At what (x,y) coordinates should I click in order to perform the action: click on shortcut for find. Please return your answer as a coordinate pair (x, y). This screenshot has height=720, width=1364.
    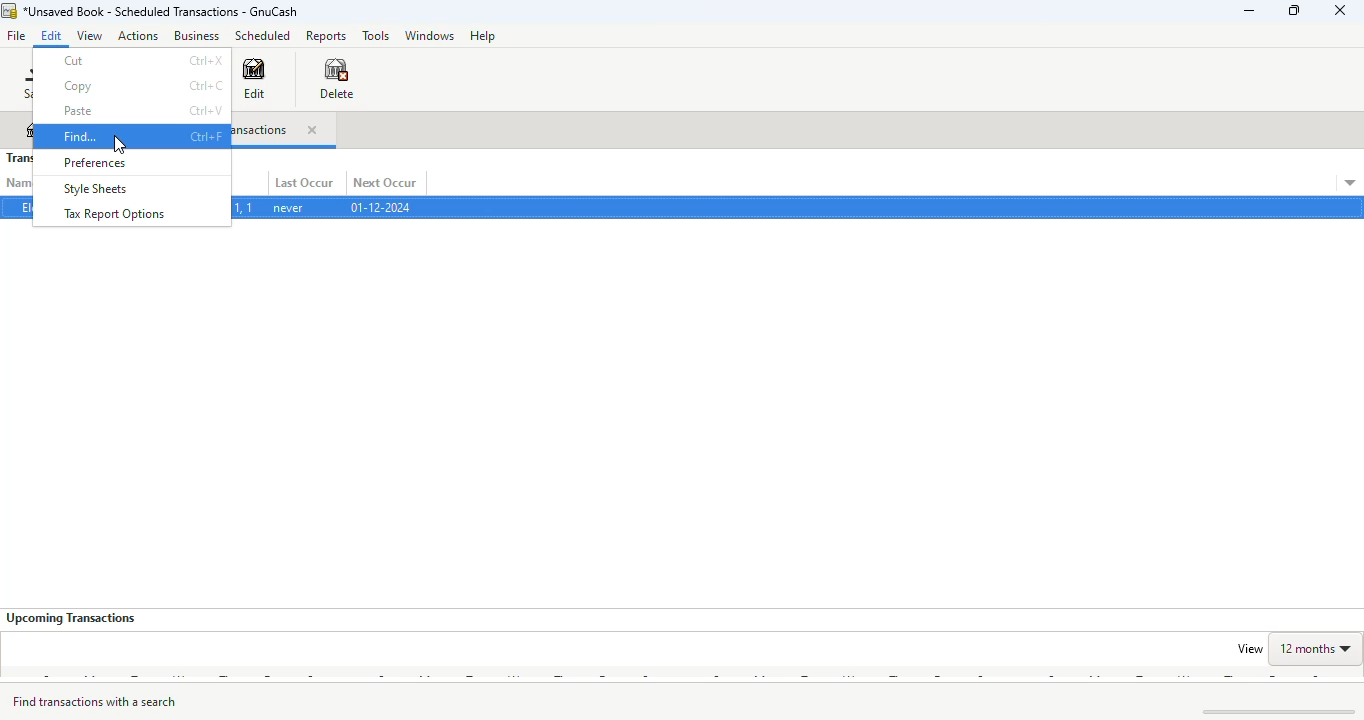
    Looking at the image, I should click on (205, 136).